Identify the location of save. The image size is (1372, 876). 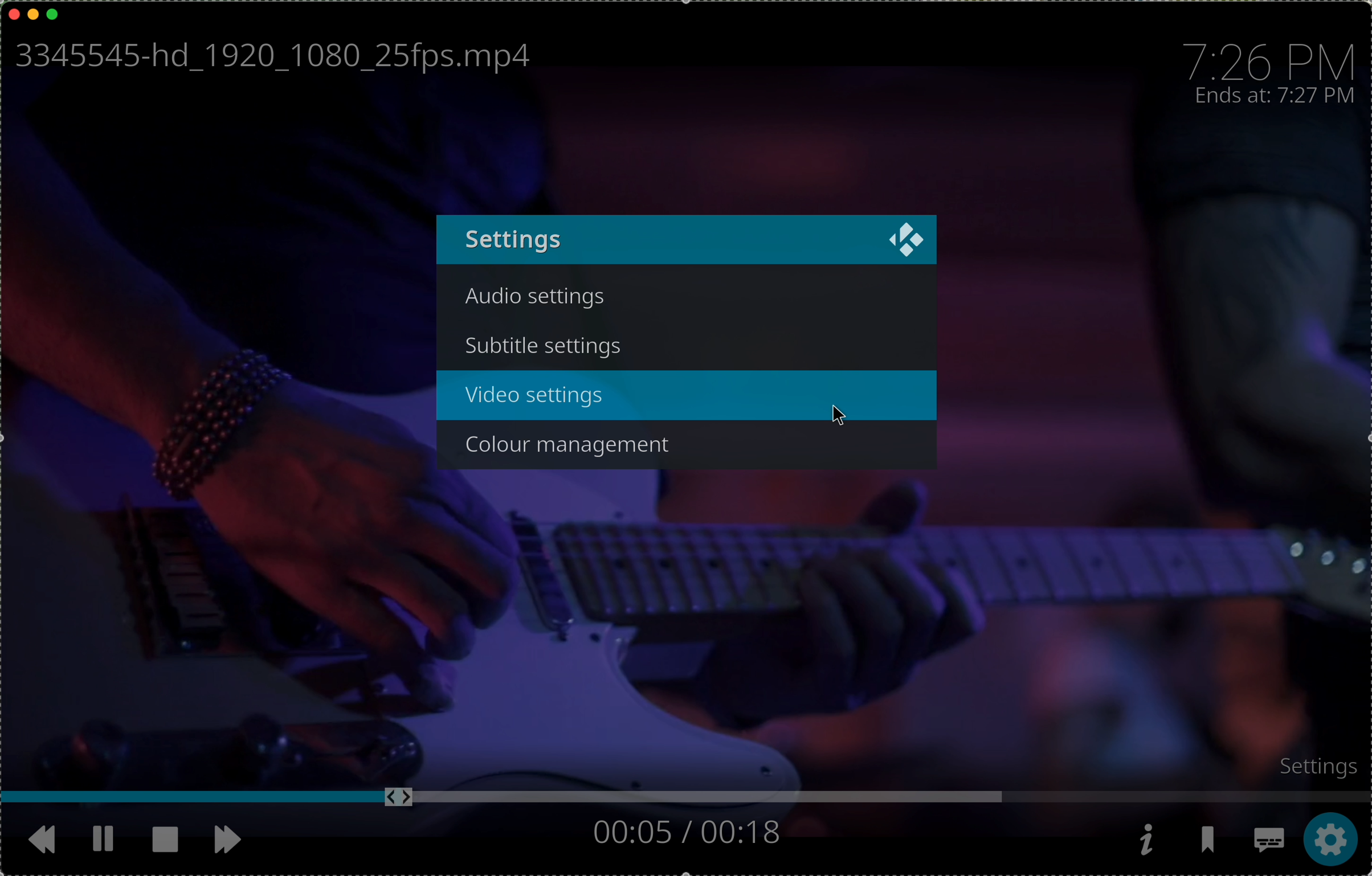
(1211, 844).